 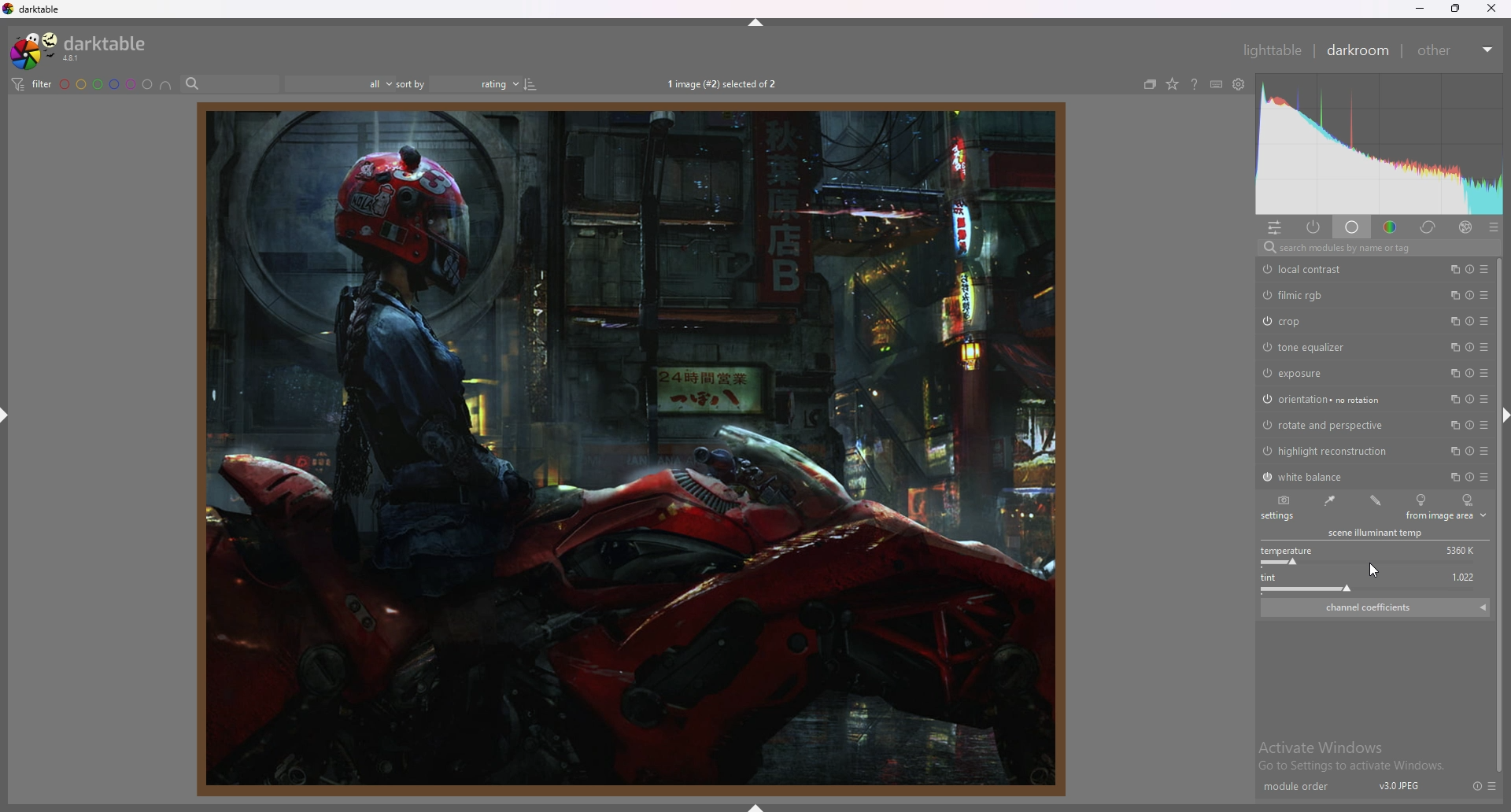 What do you see at coordinates (1359, 50) in the screenshot?
I see `darkroom` at bounding box center [1359, 50].